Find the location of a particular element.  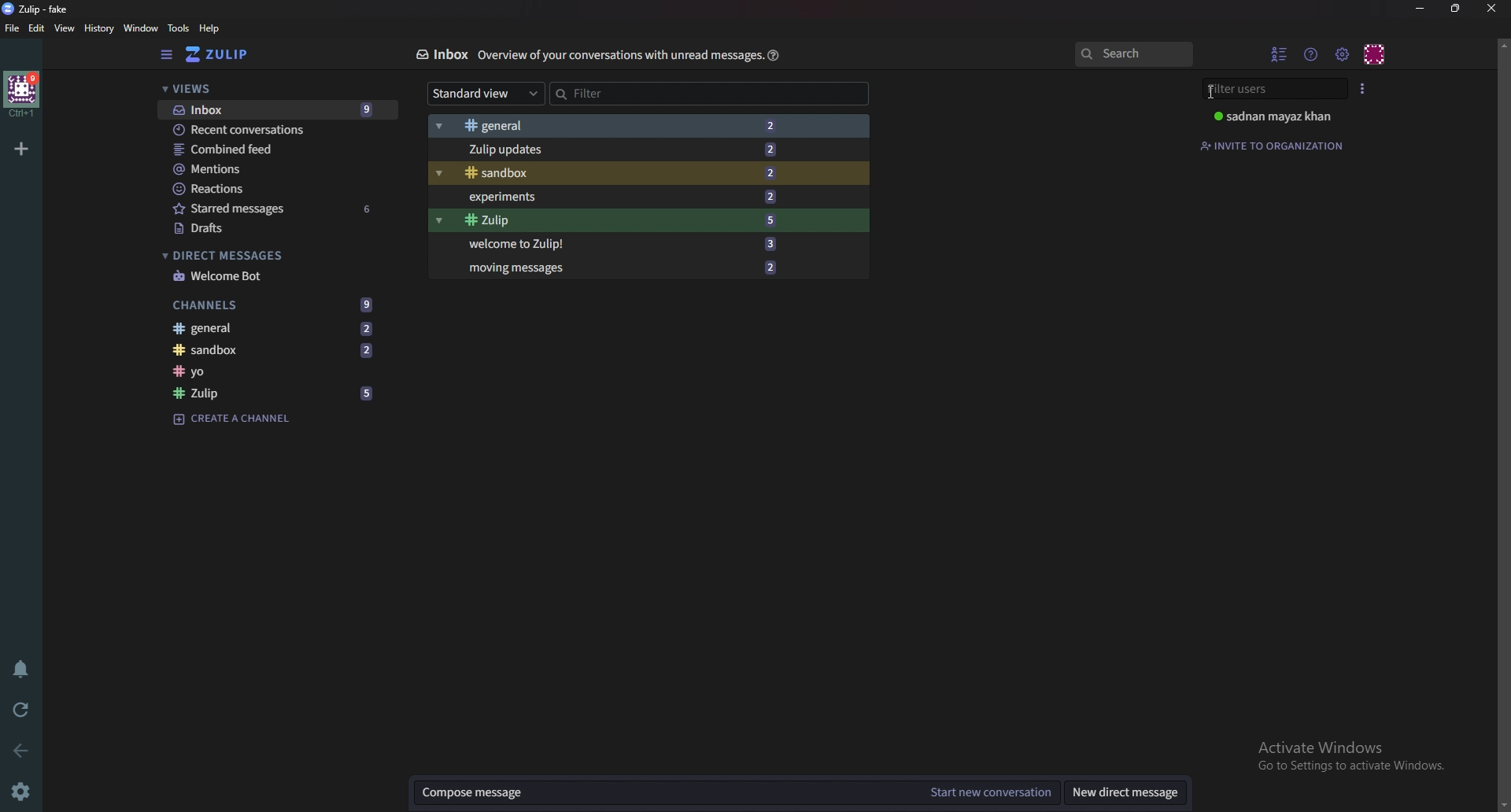

help is located at coordinates (209, 29).